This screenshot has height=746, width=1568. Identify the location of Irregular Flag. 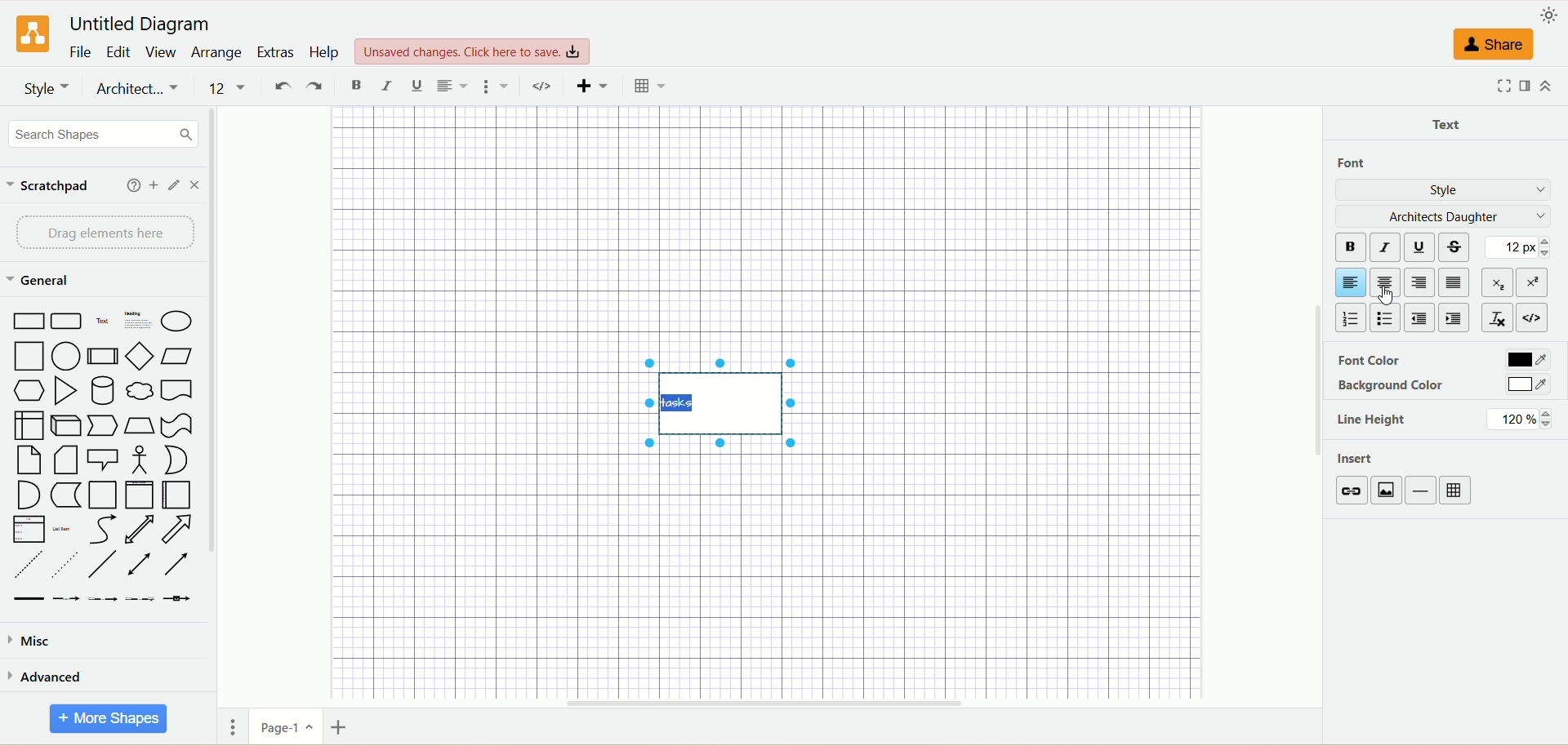
(178, 426).